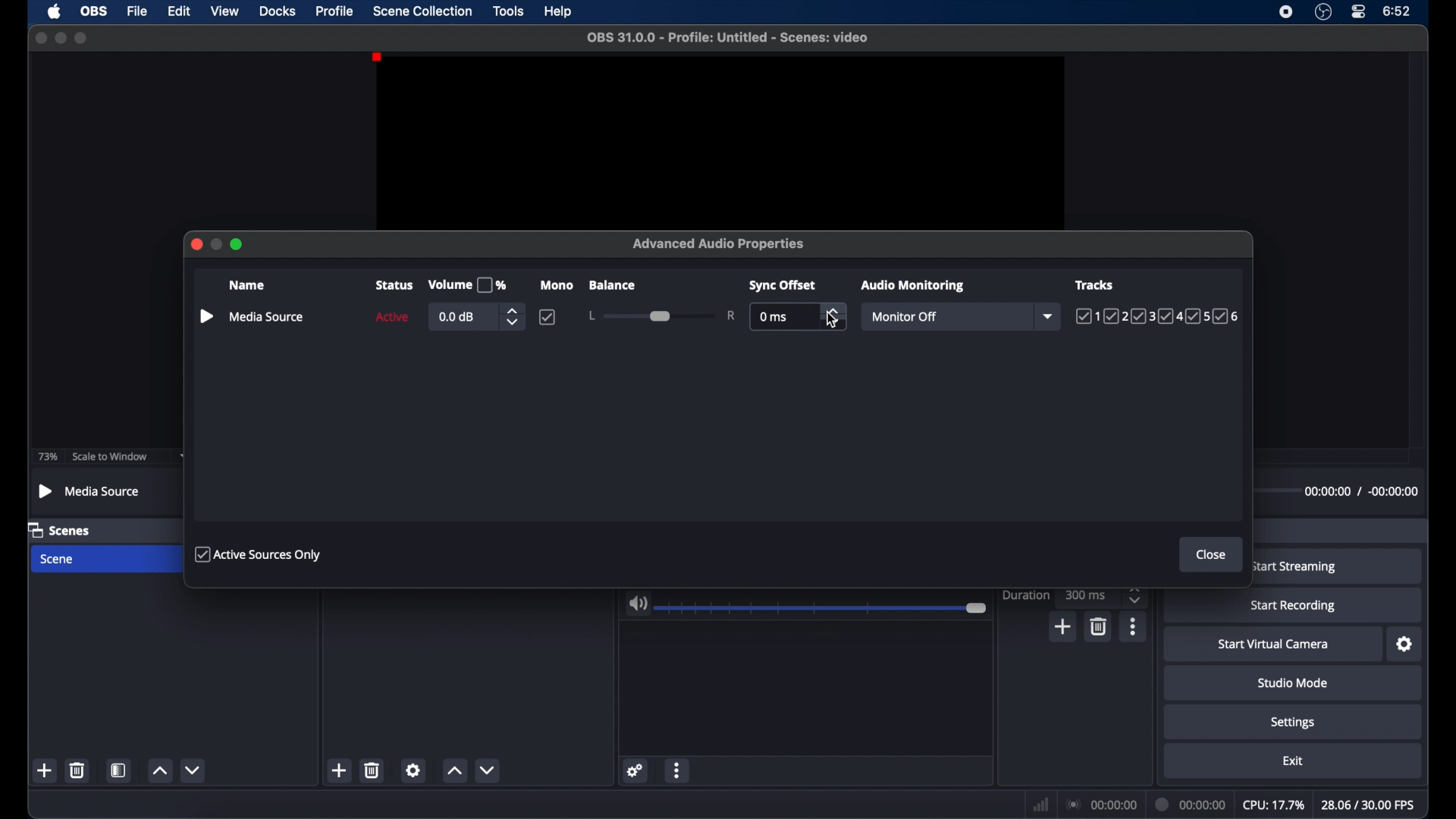 Image resolution: width=1456 pixels, height=819 pixels. Describe the element at coordinates (661, 315) in the screenshot. I see `slider` at that location.